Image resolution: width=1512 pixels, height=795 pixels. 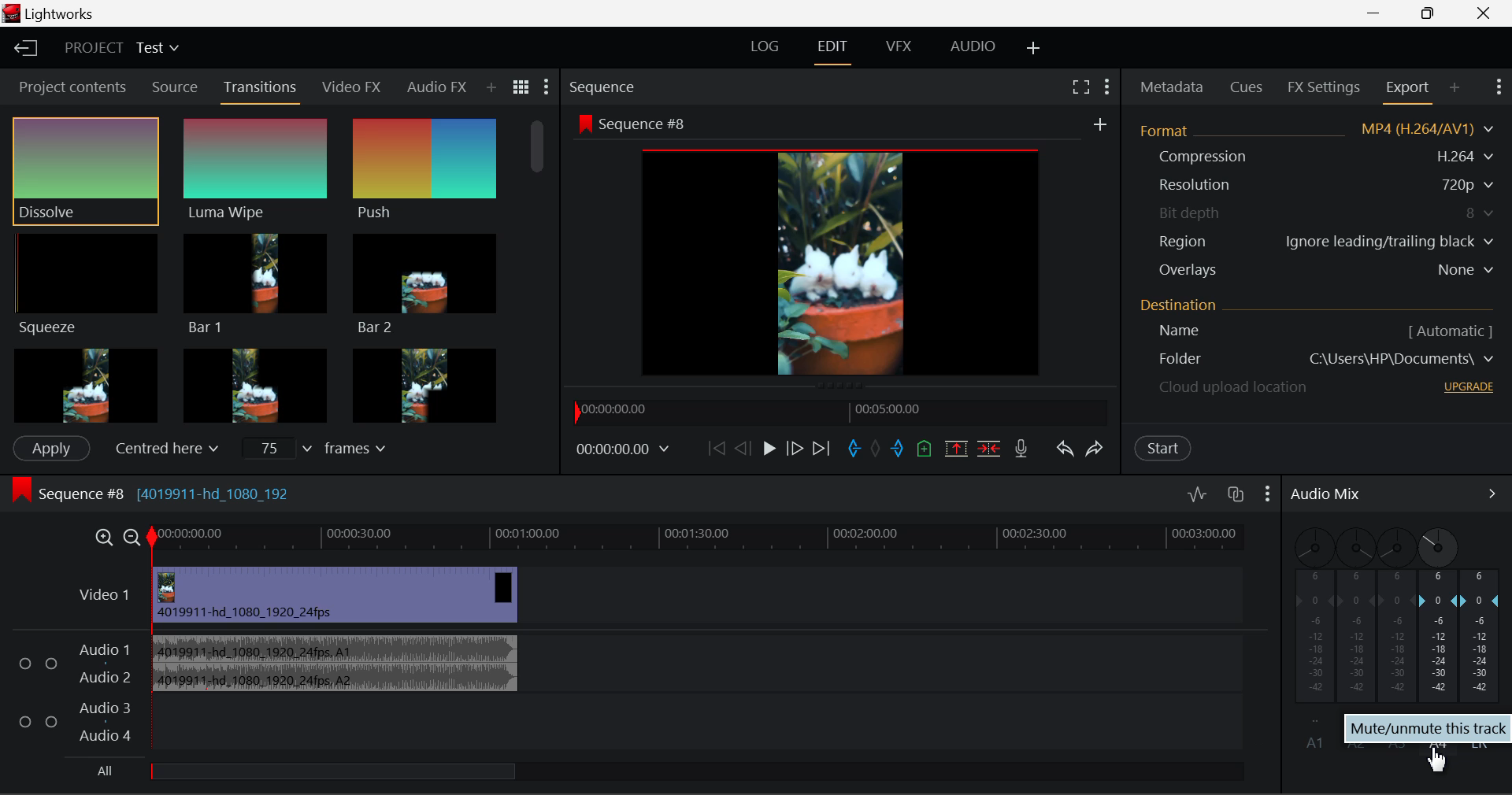 I want to click on Toggle between title and list view, so click(x=521, y=87).